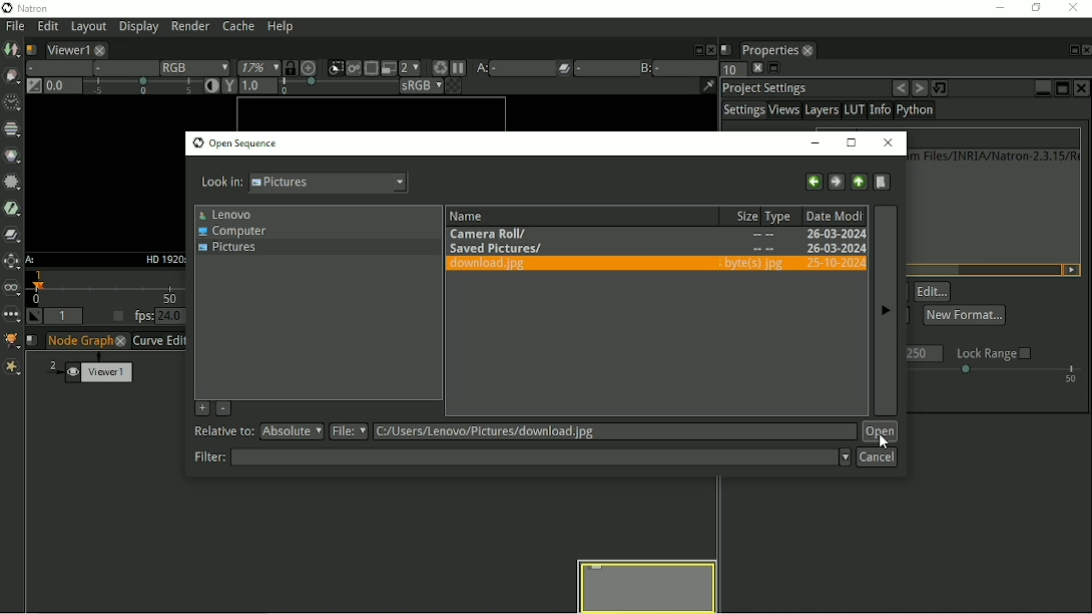 The width and height of the screenshot is (1092, 614). Describe the element at coordinates (1083, 88) in the screenshot. I see `Close` at that location.